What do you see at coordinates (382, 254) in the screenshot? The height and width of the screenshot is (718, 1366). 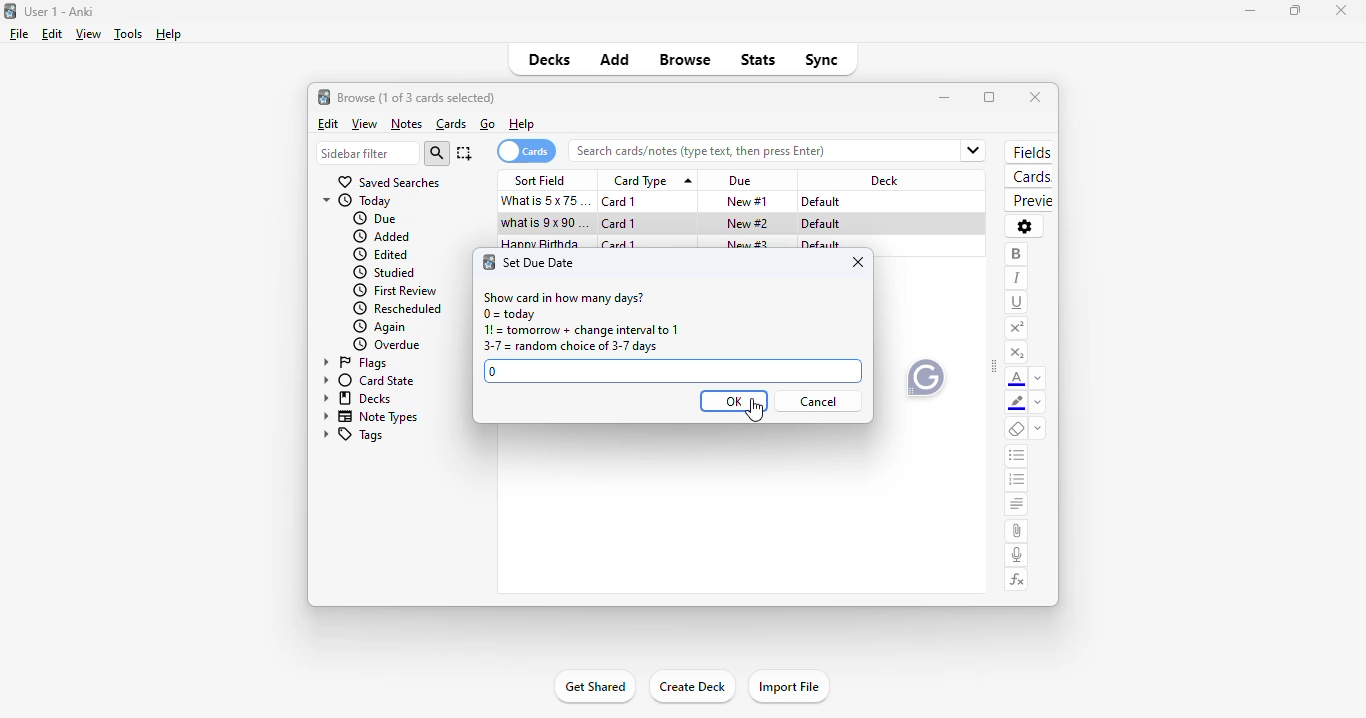 I see `edited` at bounding box center [382, 254].